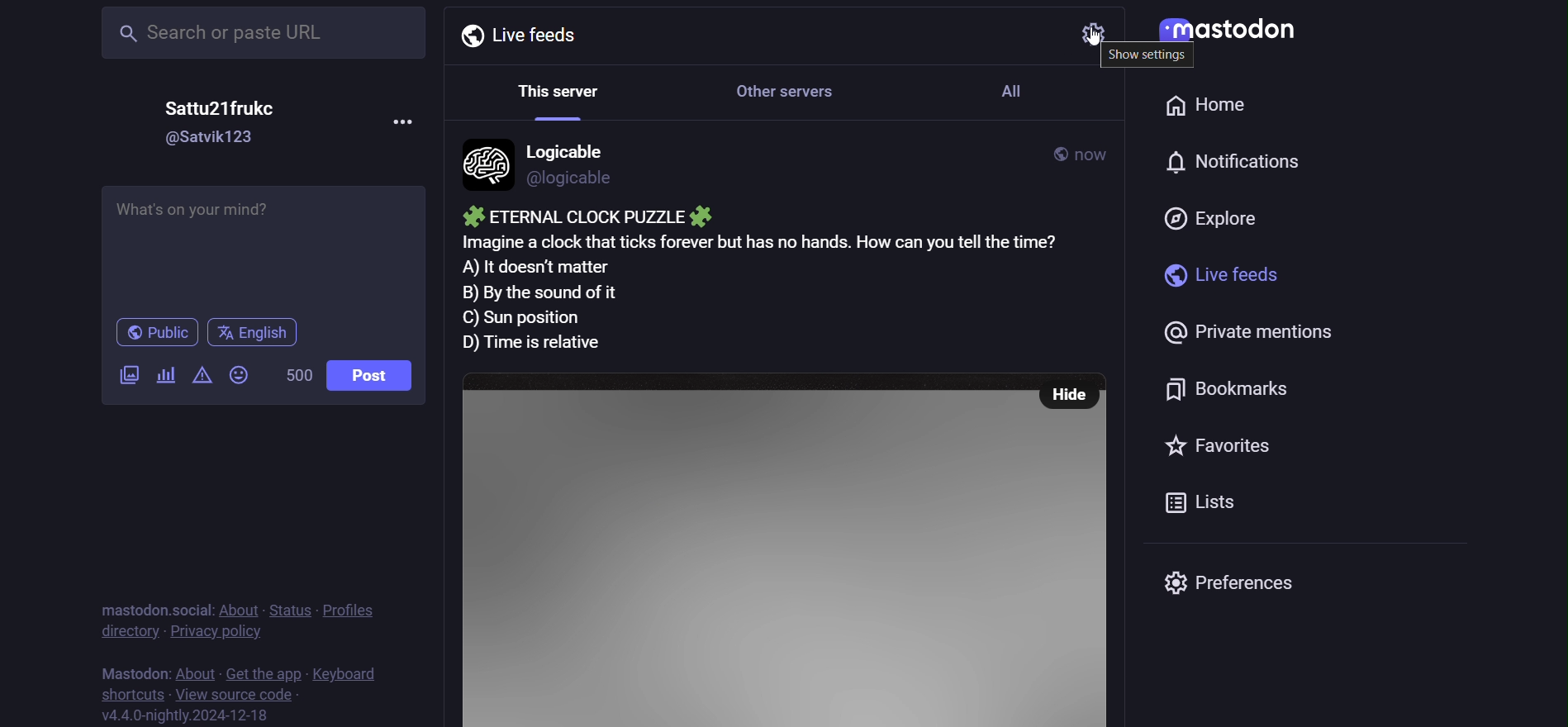 The width and height of the screenshot is (1568, 727). What do you see at coordinates (267, 244) in the screenshot?
I see `What's on your mind?` at bounding box center [267, 244].